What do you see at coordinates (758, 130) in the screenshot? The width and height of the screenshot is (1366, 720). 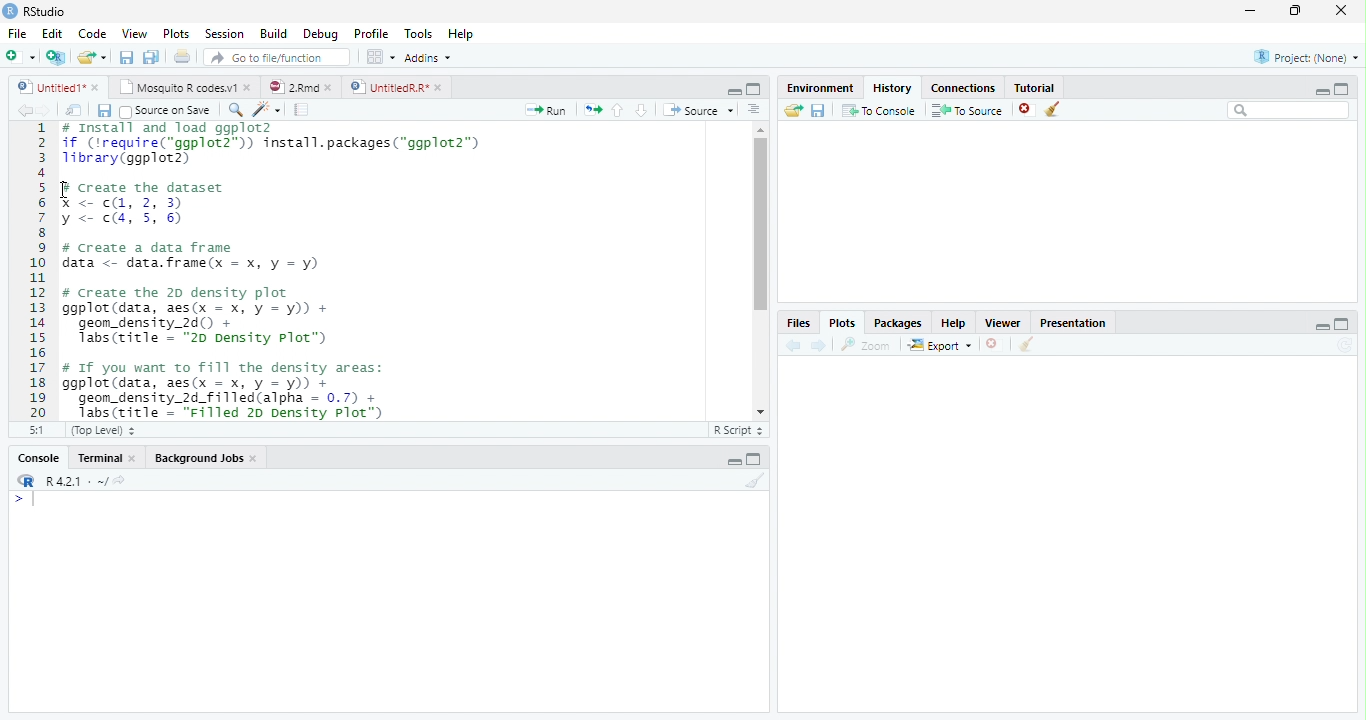 I see `Scrollbar up` at bounding box center [758, 130].